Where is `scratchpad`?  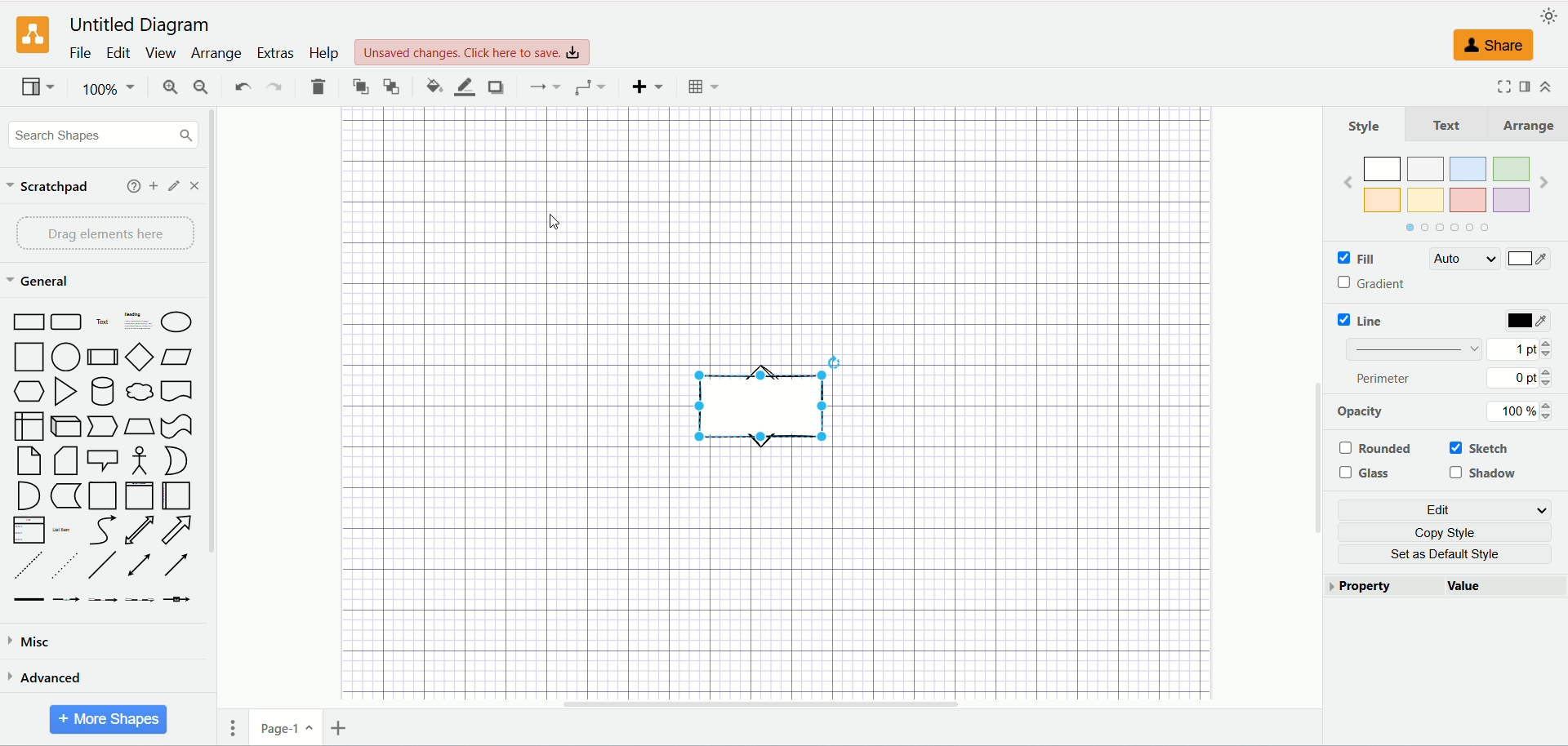
scratchpad is located at coordinates (48, 189).